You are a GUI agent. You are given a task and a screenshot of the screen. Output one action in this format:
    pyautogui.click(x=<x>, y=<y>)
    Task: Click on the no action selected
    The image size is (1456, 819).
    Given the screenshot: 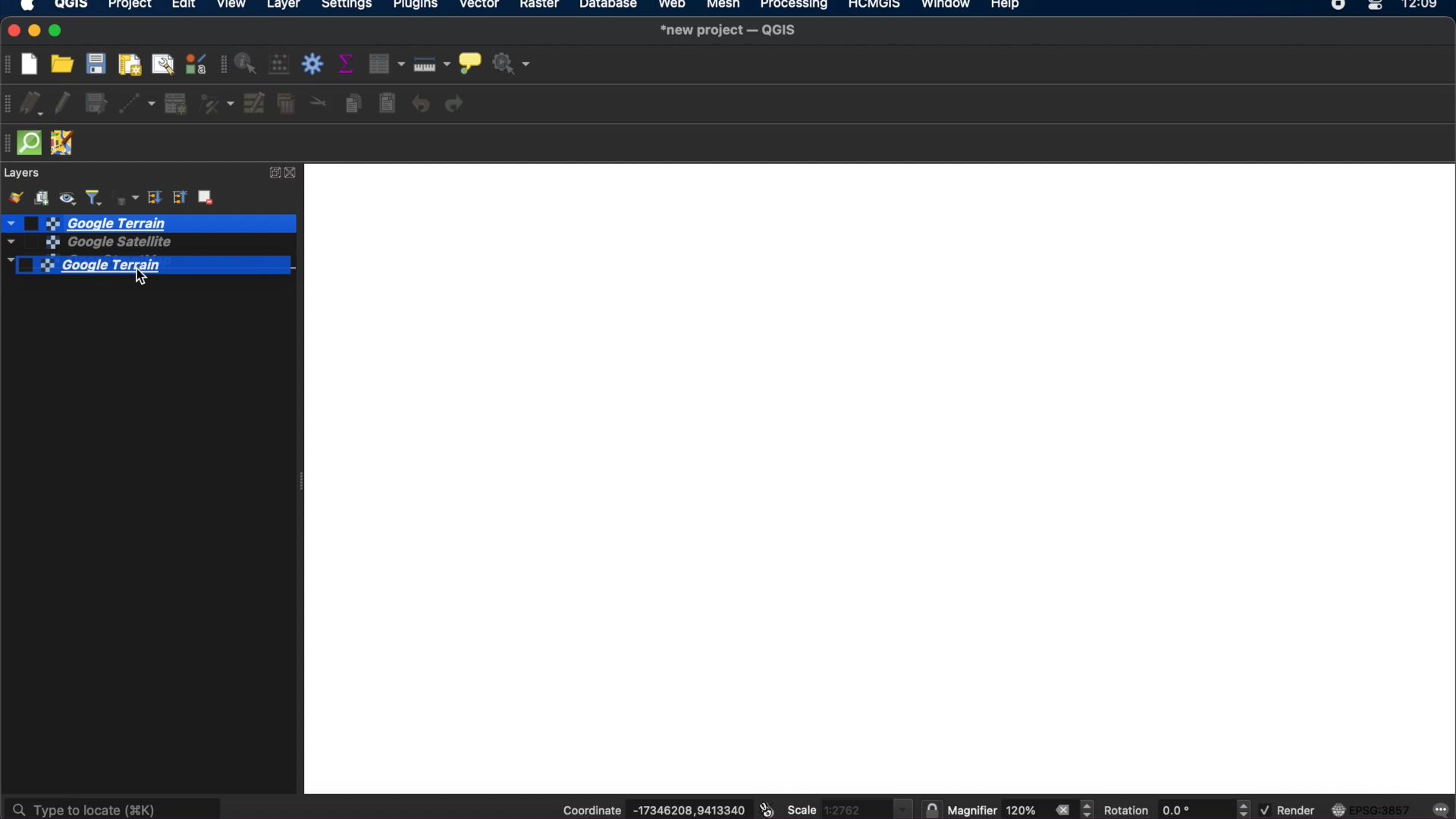 What is the action you would take?
    pyautogui.click(x=511, y=64)
    